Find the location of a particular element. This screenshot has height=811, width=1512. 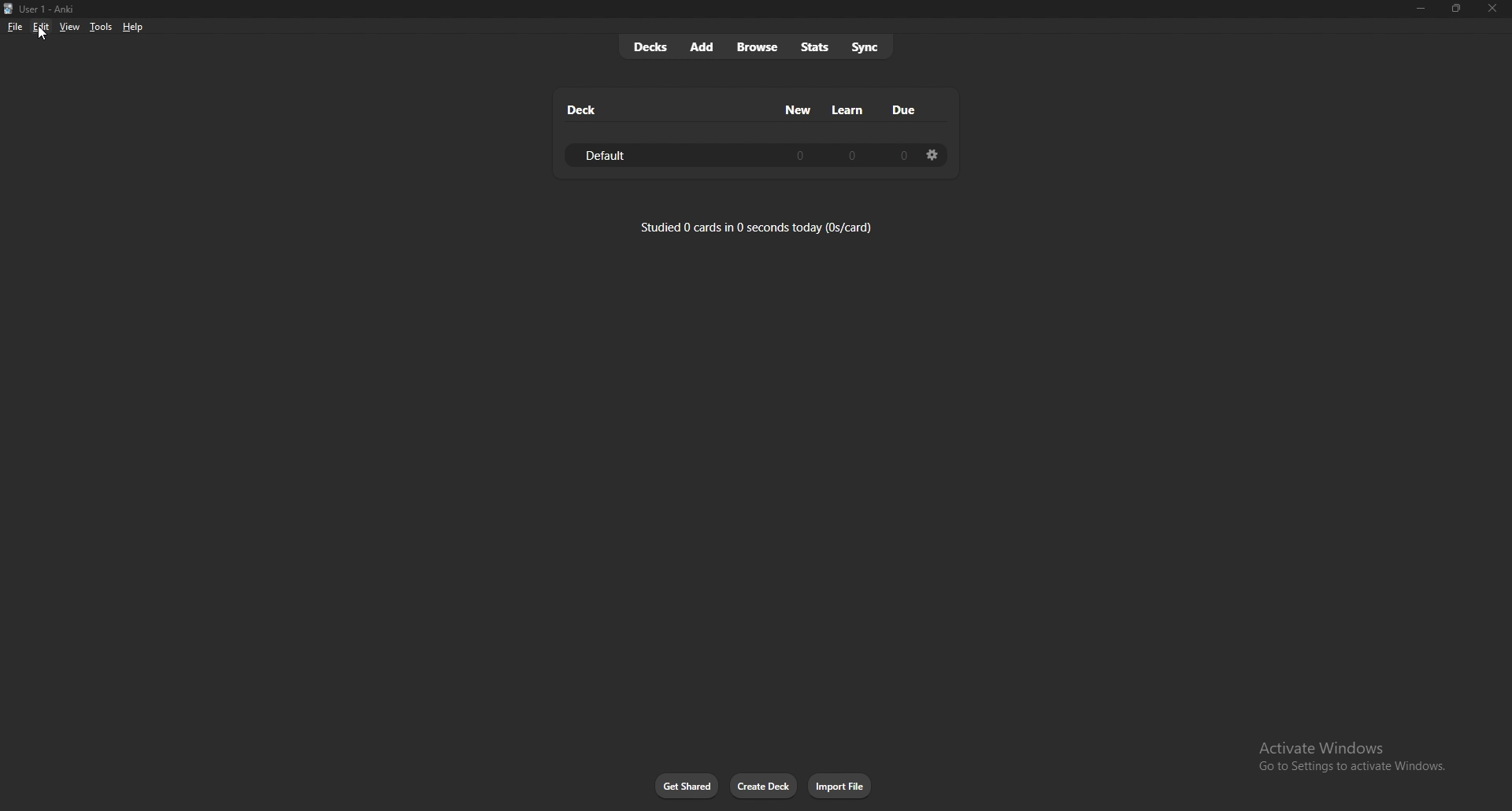

deck is located at coordinates (580, 109).